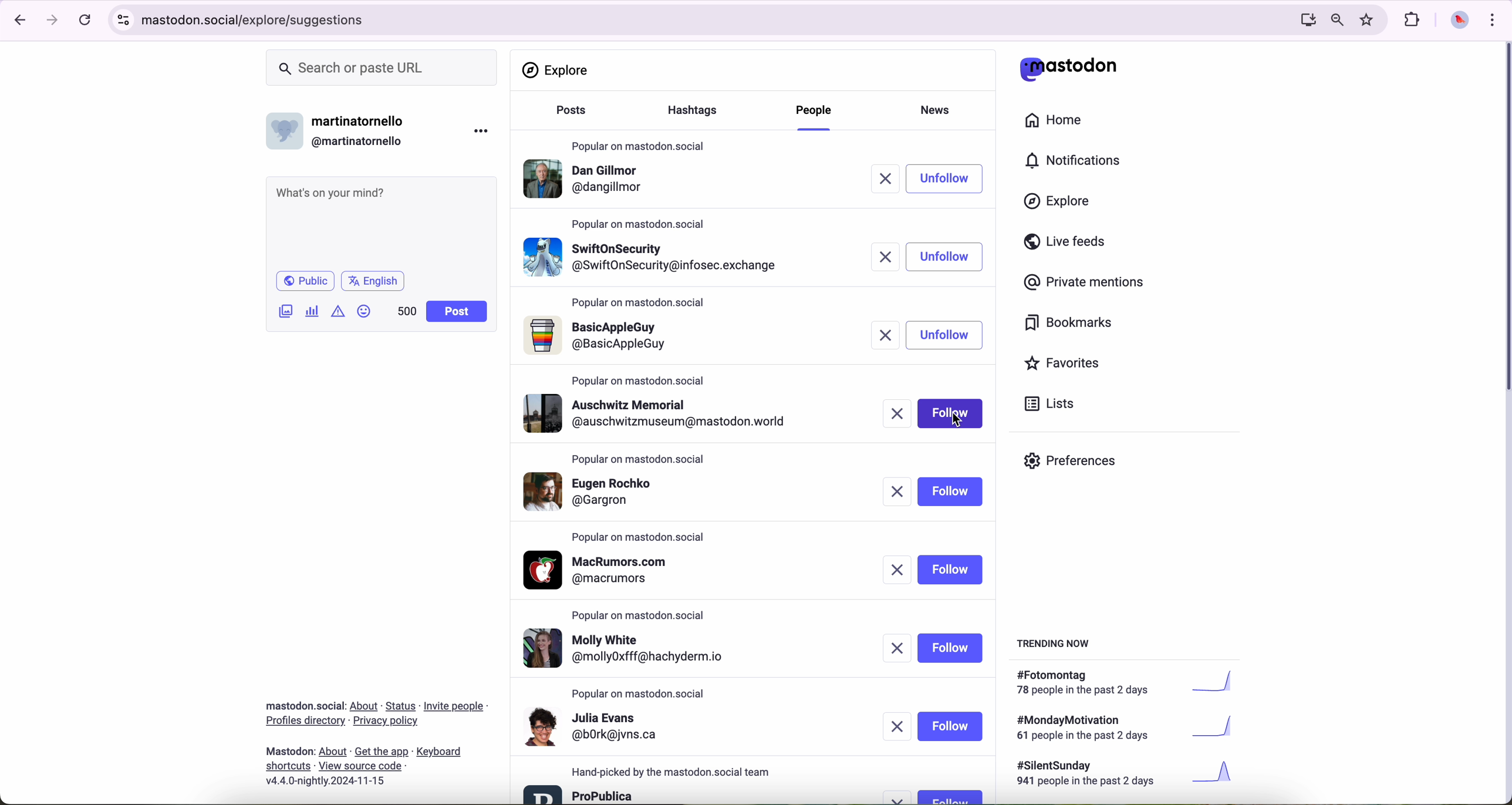 The width and height of the screenshot is (1512, 805). Describe the element at coordinates (1413, 20) in the screenshot. I see `extensions` at that location.